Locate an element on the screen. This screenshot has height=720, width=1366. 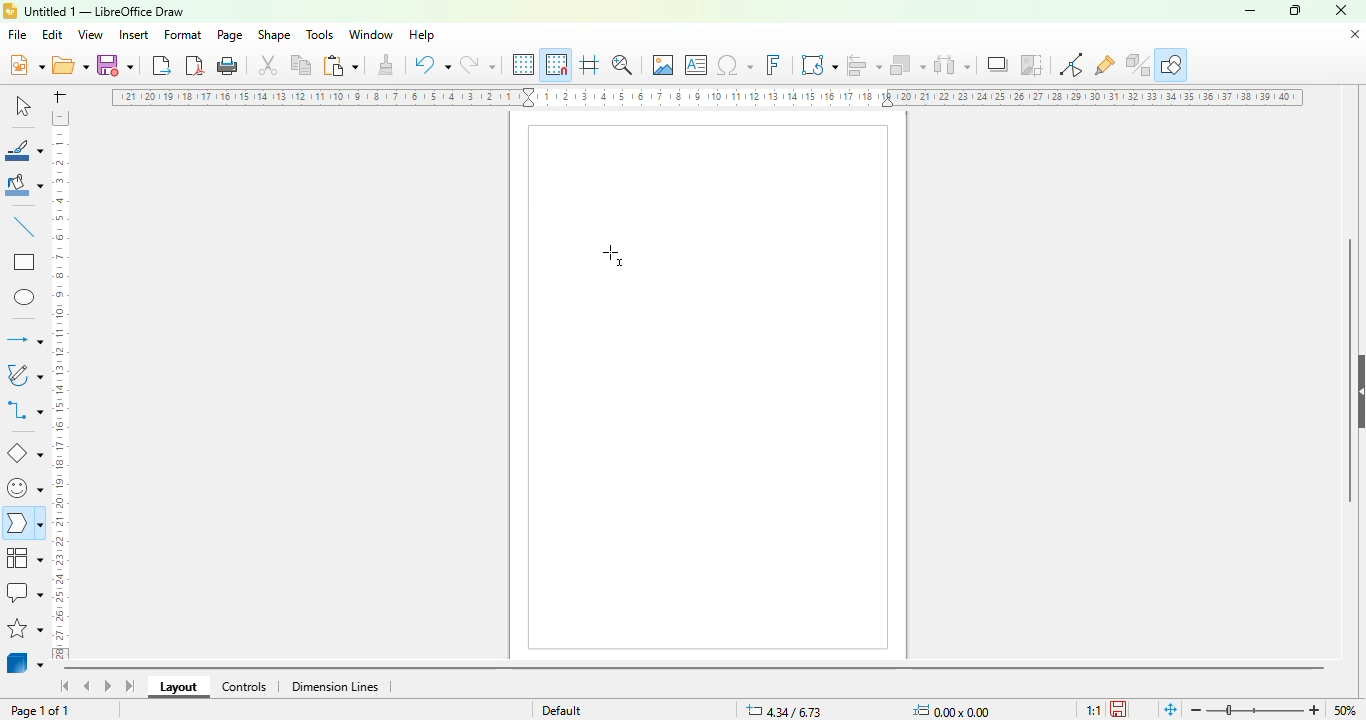
snap to grid is located at coordinates (557, 64).